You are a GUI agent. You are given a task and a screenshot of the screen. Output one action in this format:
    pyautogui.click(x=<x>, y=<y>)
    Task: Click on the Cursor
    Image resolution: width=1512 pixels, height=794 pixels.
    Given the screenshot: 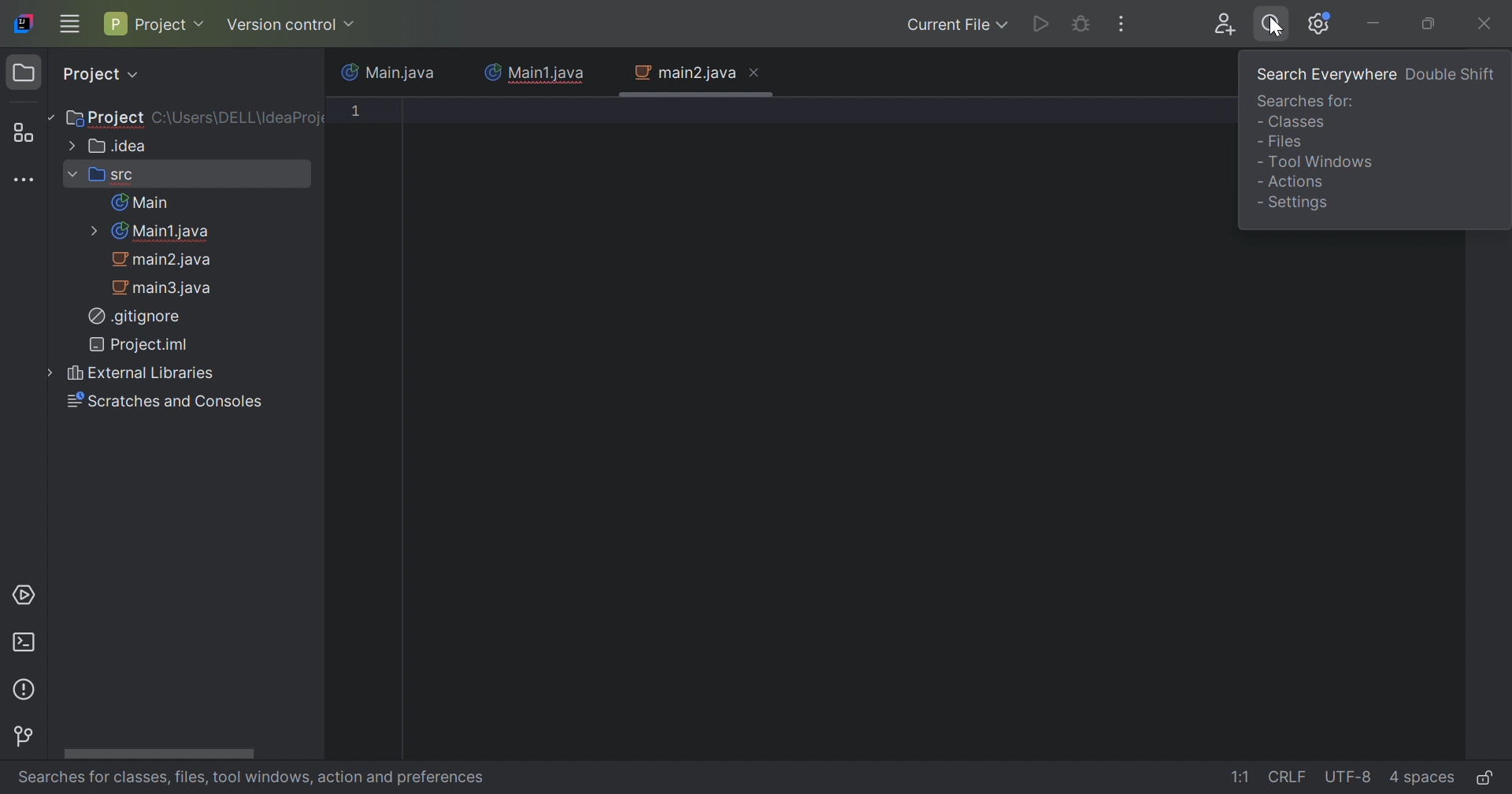 What is the action you would take?
    pyautogui.click(x=1279, y=29)
    